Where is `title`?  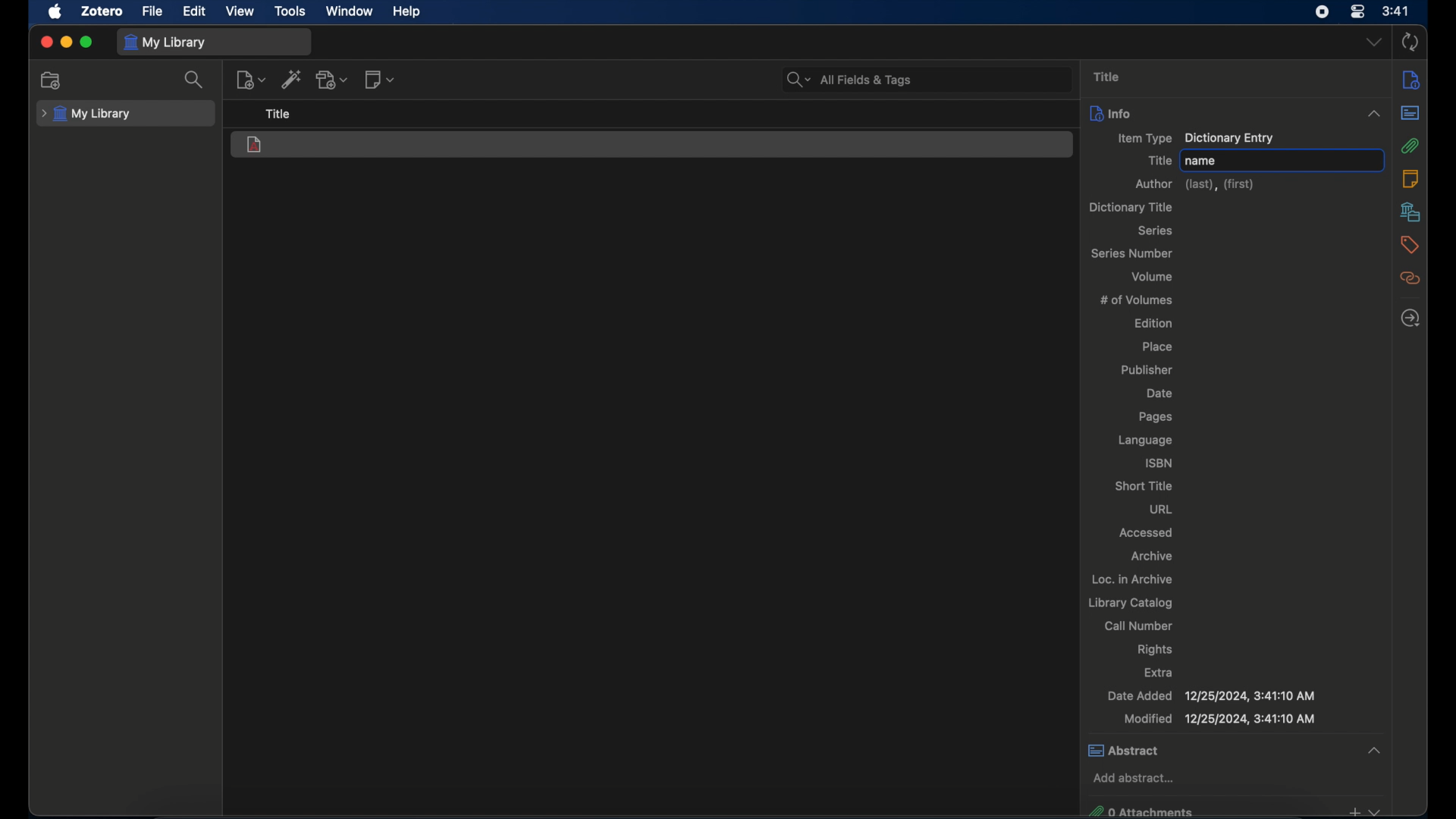 title is located at coordinates (1107, 77).